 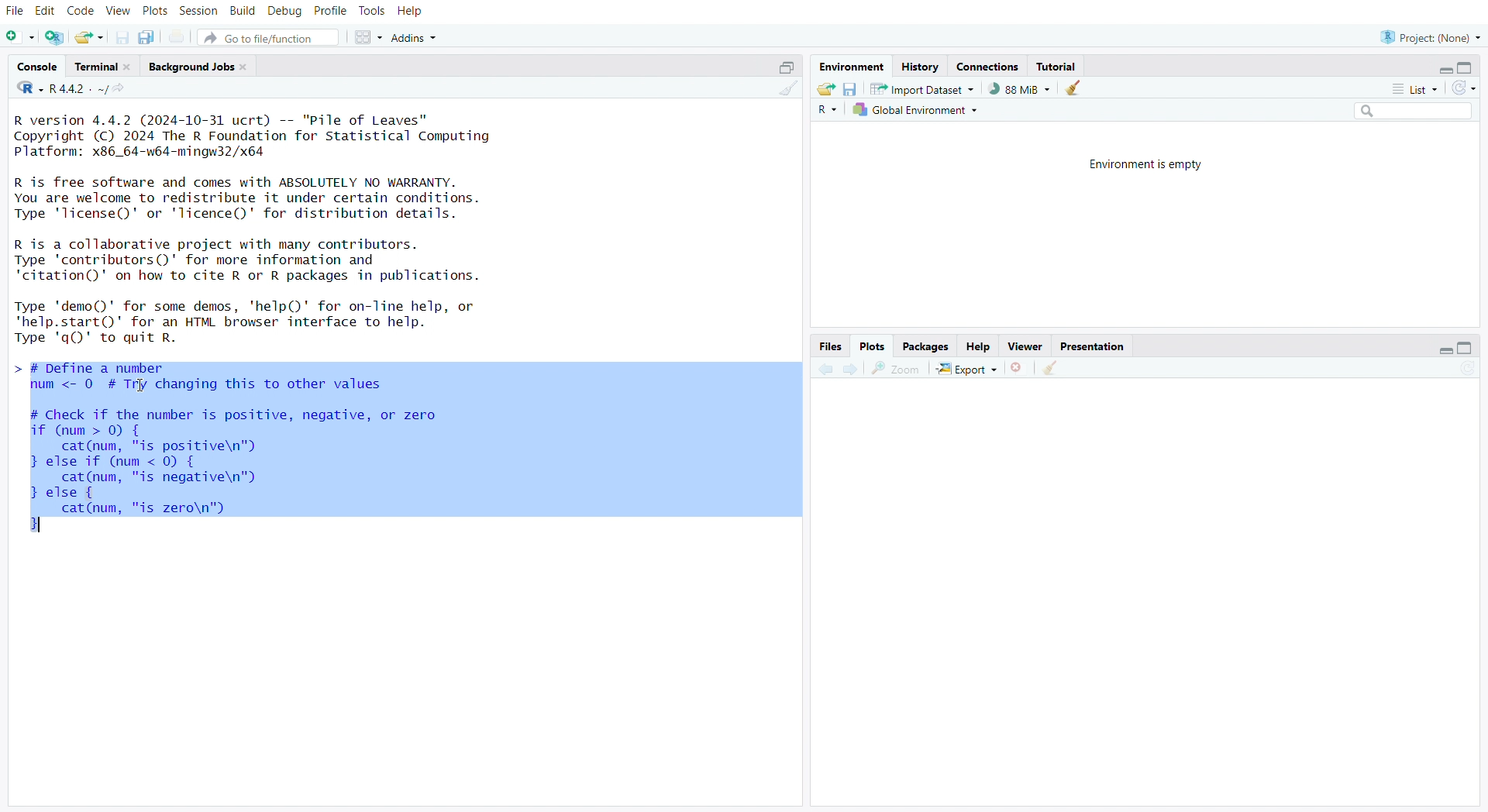 I want to click on forward, so click(x=852, y=370).